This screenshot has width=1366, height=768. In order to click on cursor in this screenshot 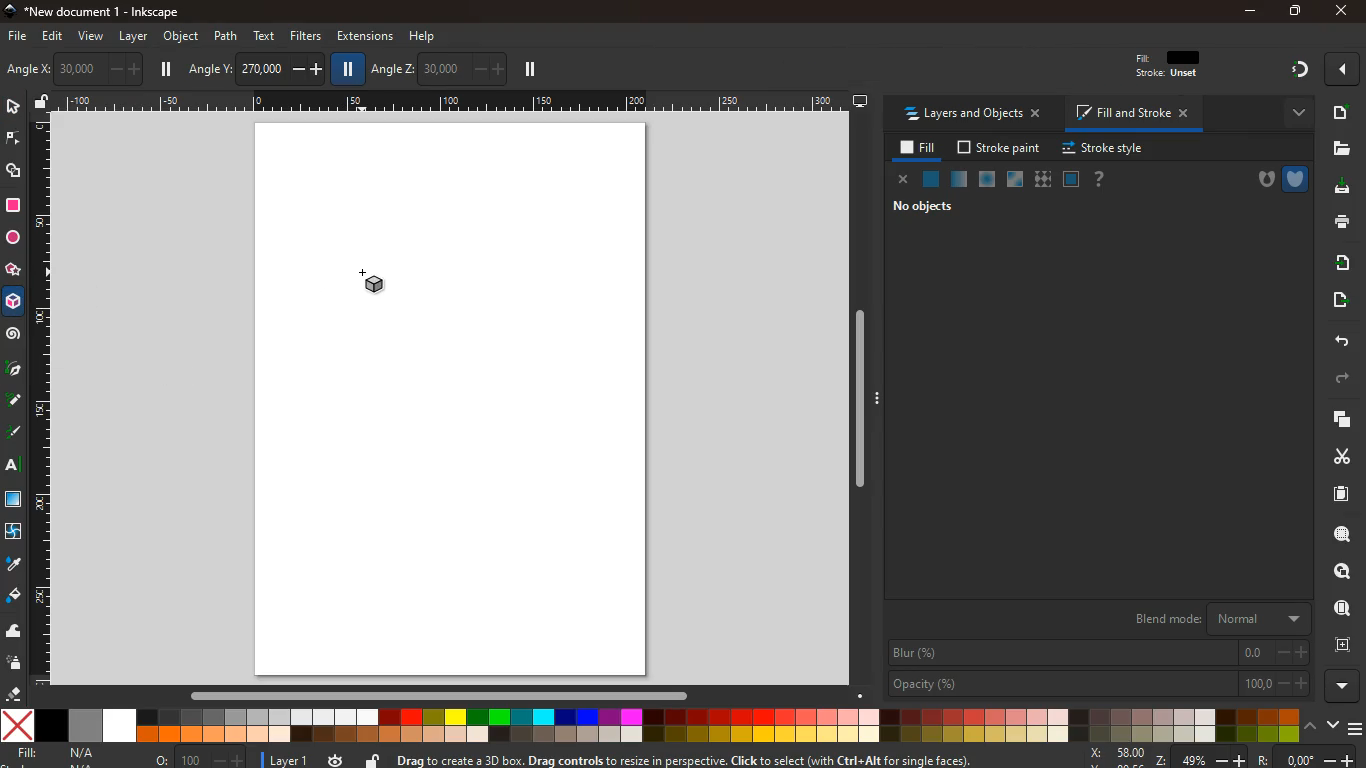, I will do `click(359, 269)`.